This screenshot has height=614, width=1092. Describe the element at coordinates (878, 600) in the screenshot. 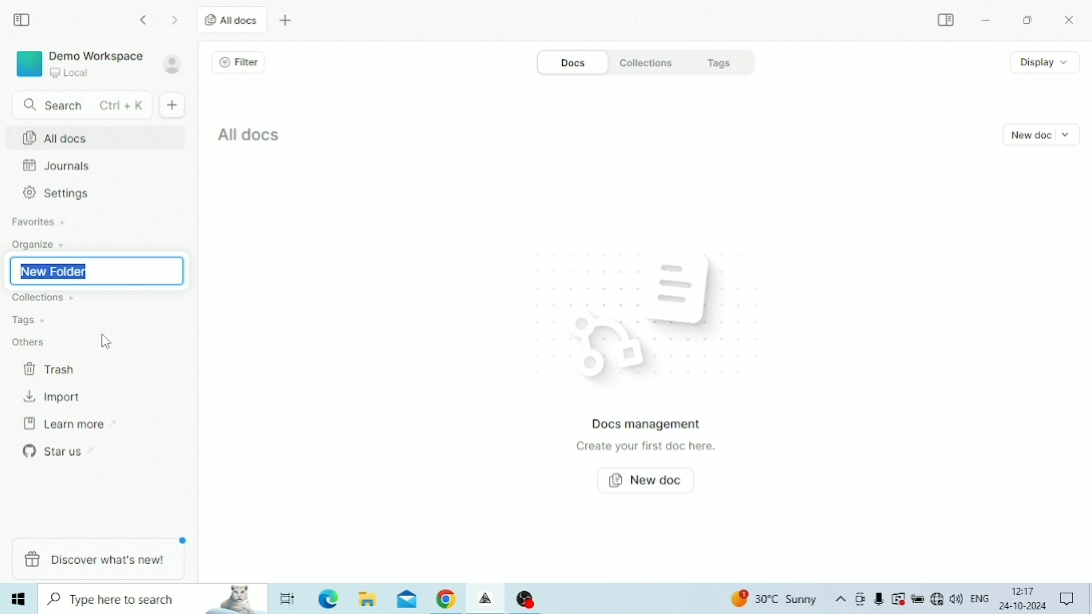

I see `Mic` at that location.